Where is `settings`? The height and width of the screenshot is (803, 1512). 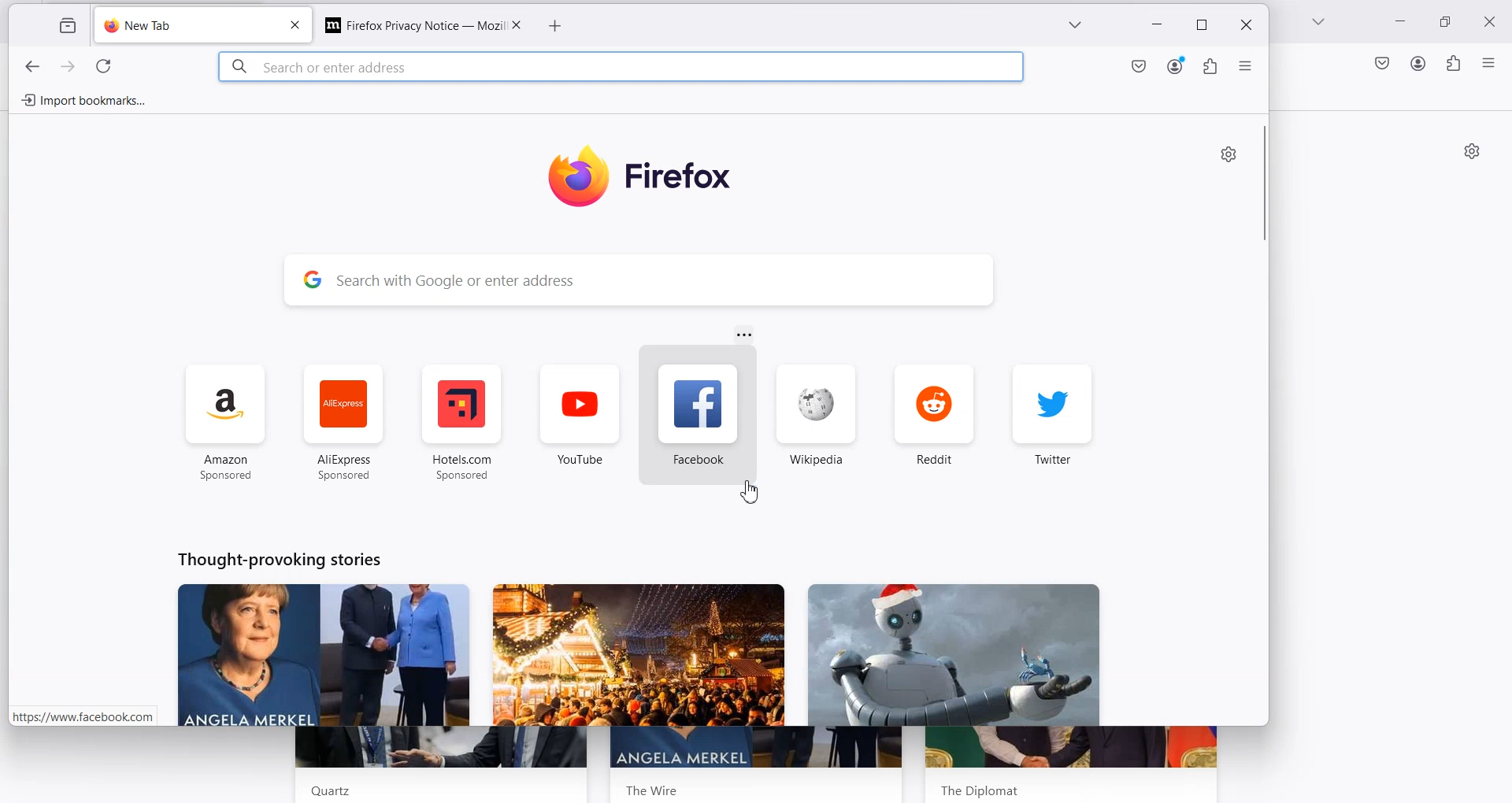
settings is located at coordinates (1224, 154).